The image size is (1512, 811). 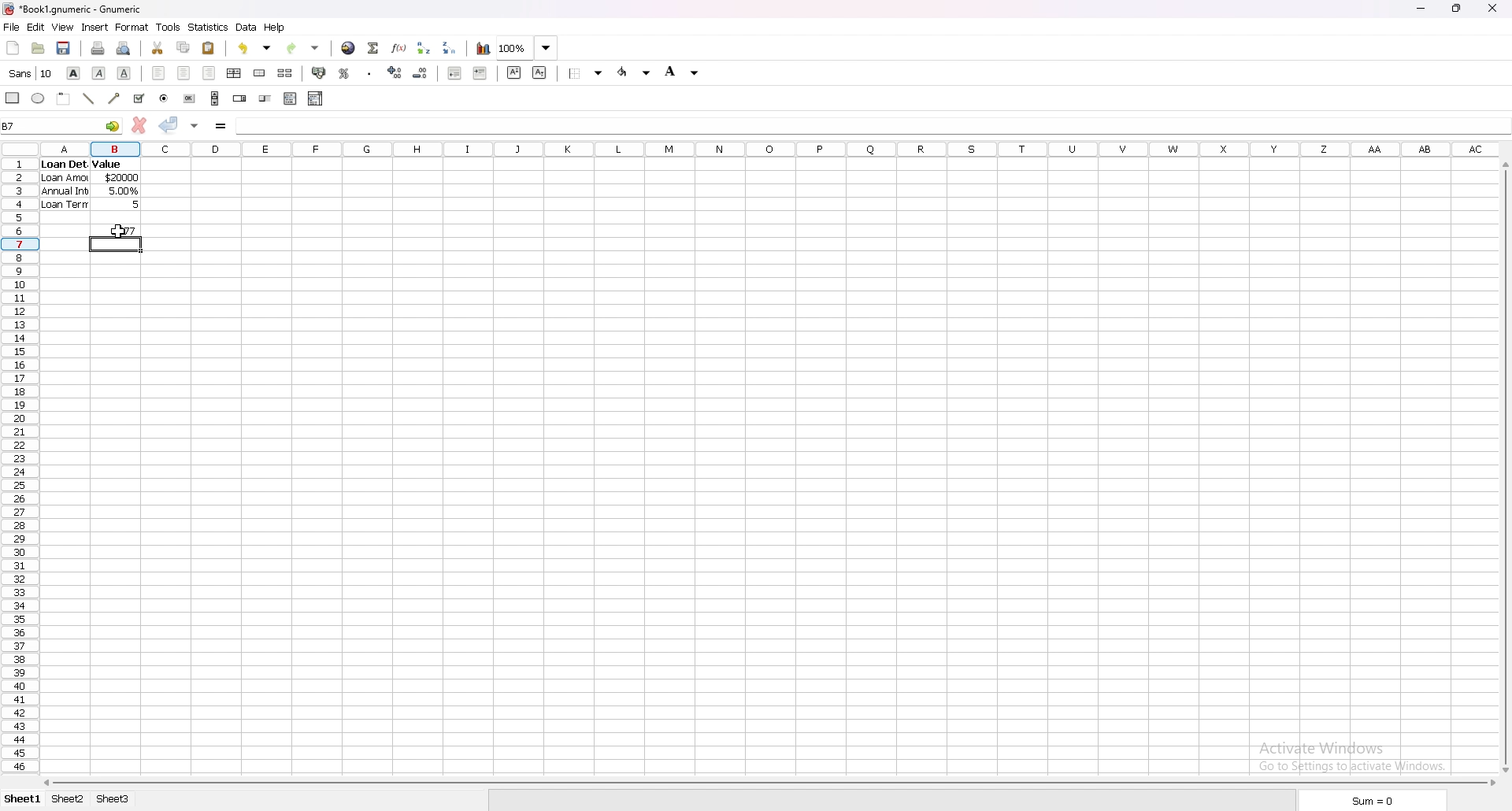 I want to click on radio button, so click(x=165, y=98).